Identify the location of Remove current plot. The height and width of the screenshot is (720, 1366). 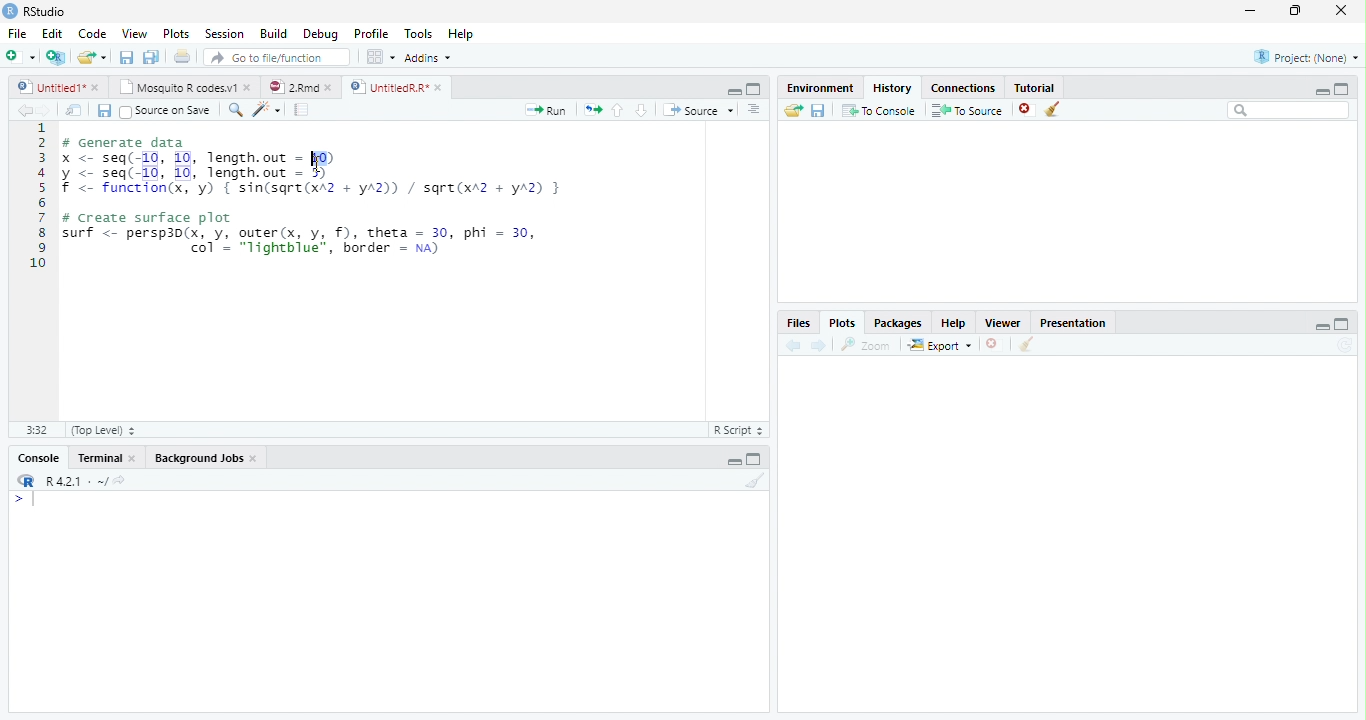
(996, 344).